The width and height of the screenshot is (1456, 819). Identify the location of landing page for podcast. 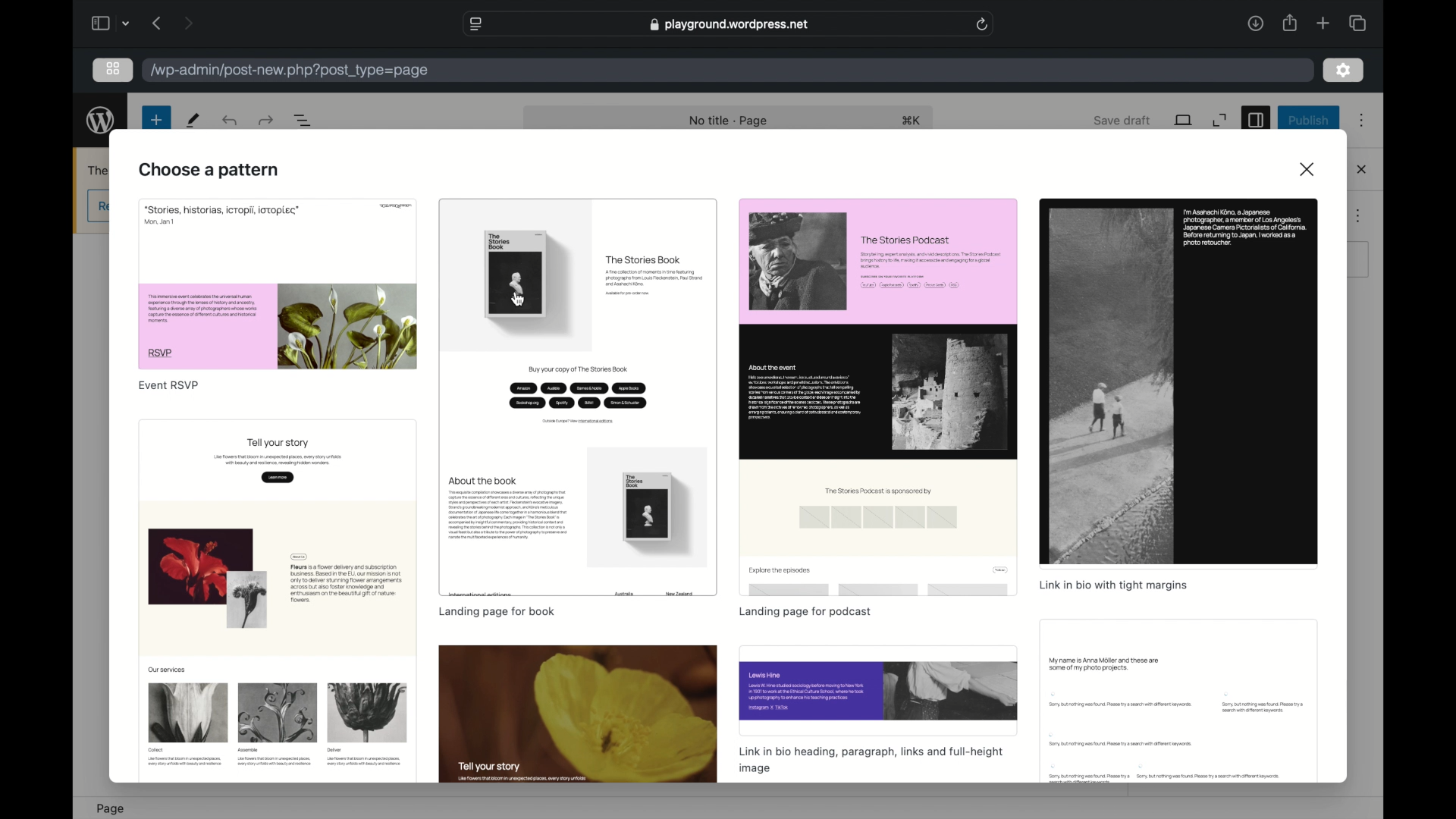
(805, 612).